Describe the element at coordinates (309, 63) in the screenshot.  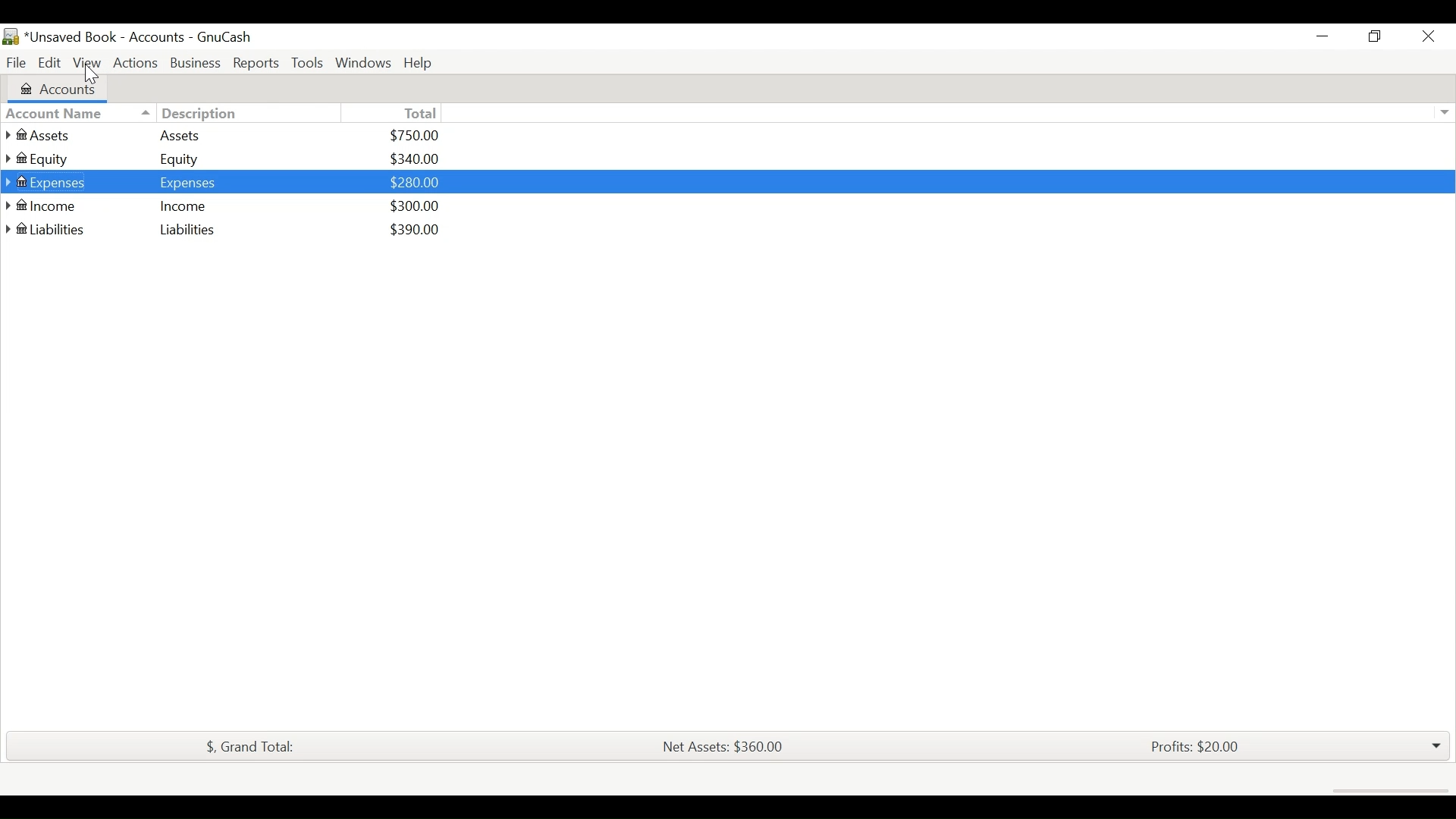
I see `Tools` at that location.